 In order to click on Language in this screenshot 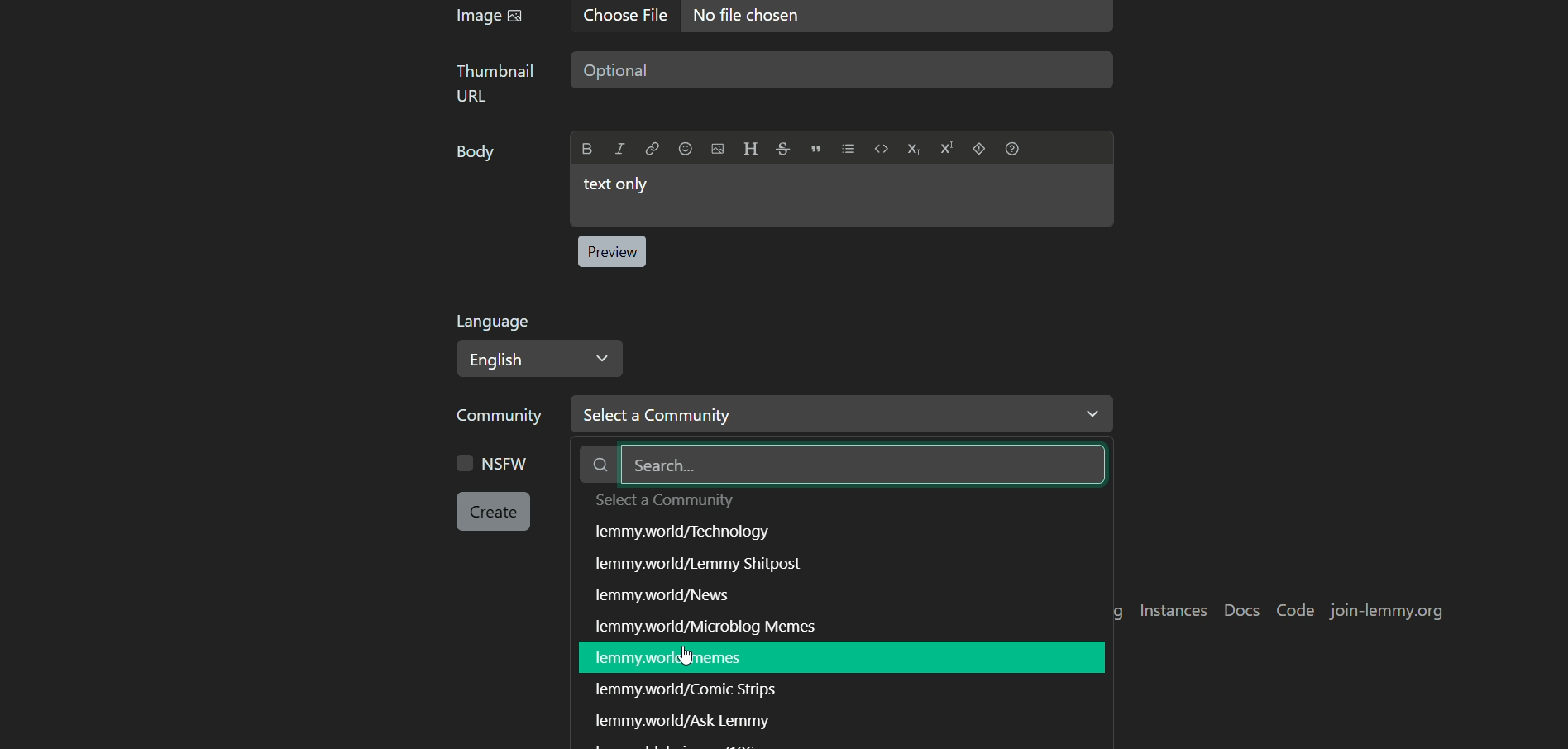, I will do `click(497, 322)`.